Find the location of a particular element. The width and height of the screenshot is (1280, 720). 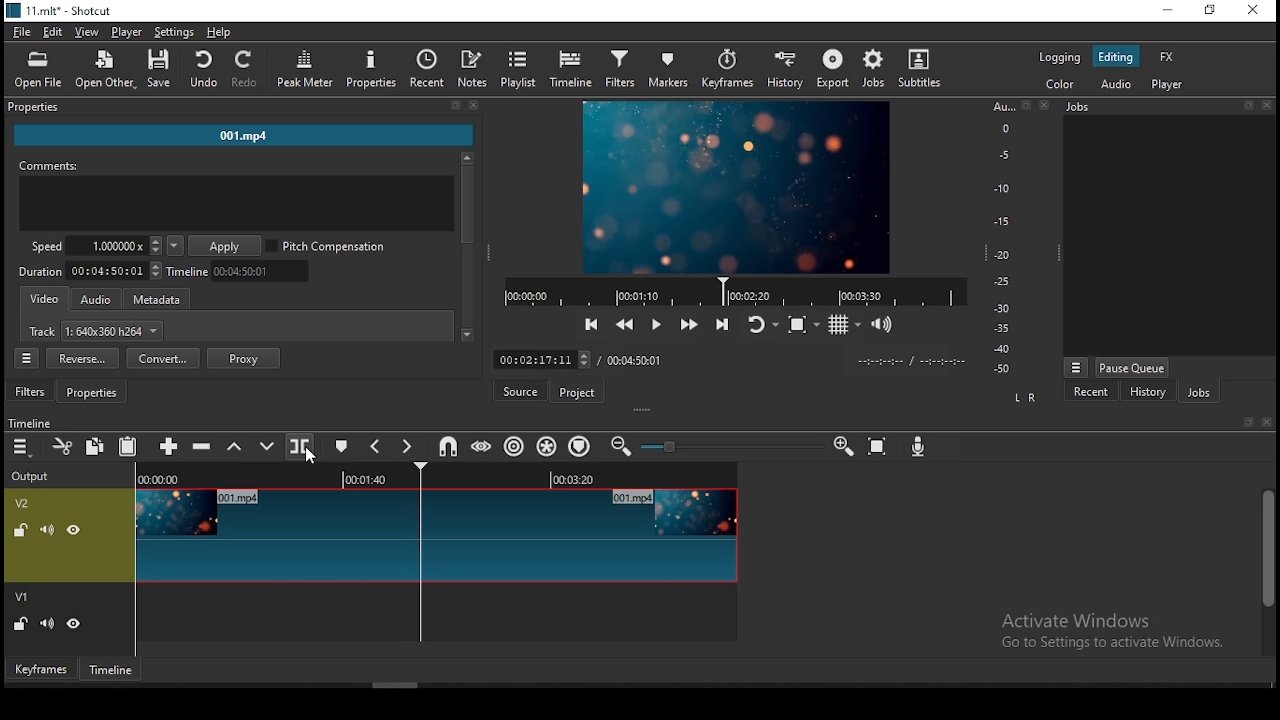

audio is located at coordinates (1114, 84).